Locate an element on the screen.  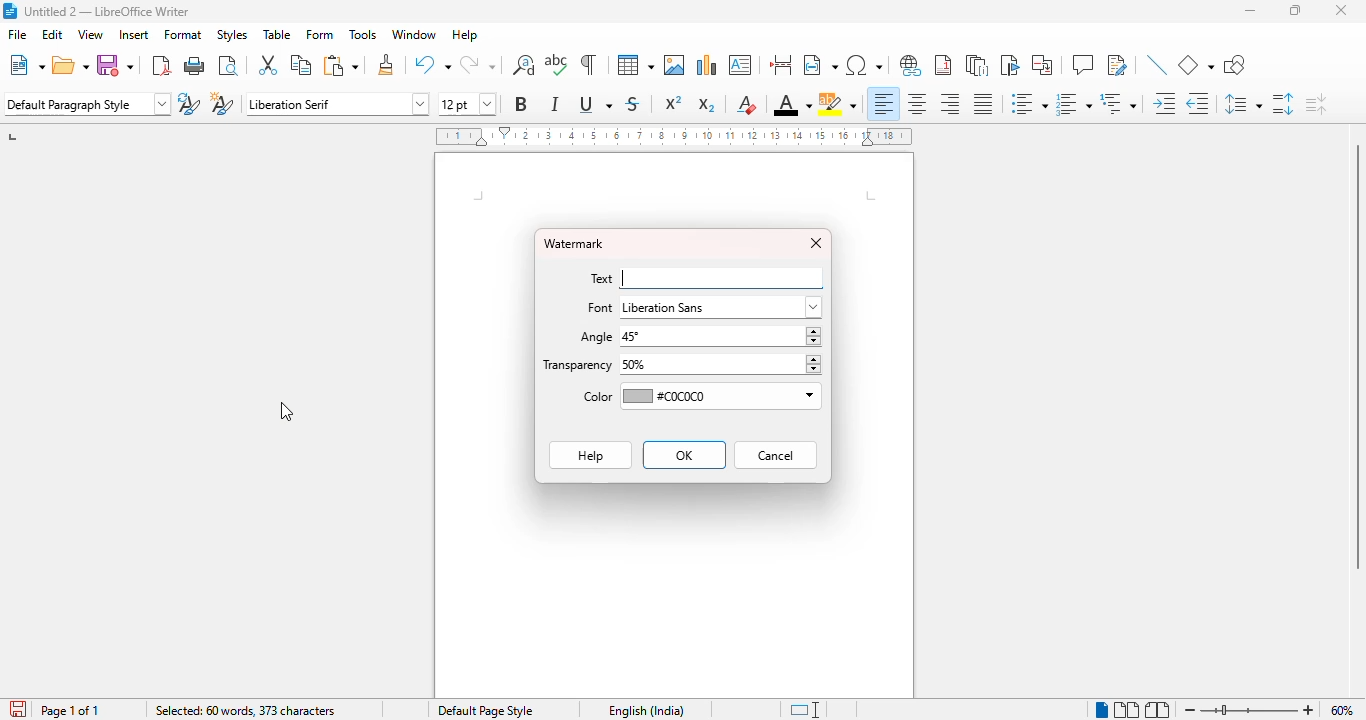
Transparency is located at coordinates (577, 369).